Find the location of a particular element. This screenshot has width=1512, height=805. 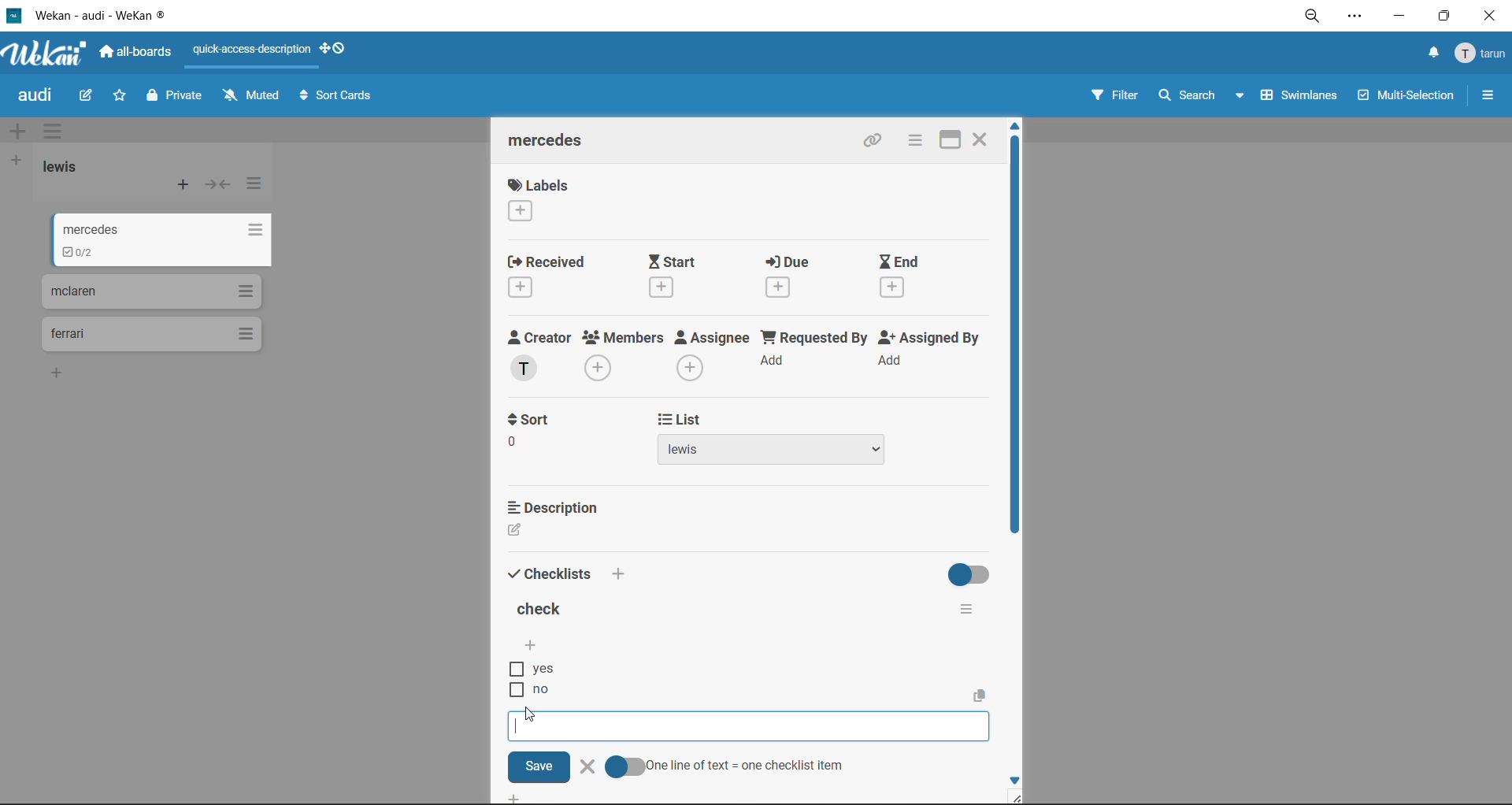

filter is located at coordinates (1120, 97).